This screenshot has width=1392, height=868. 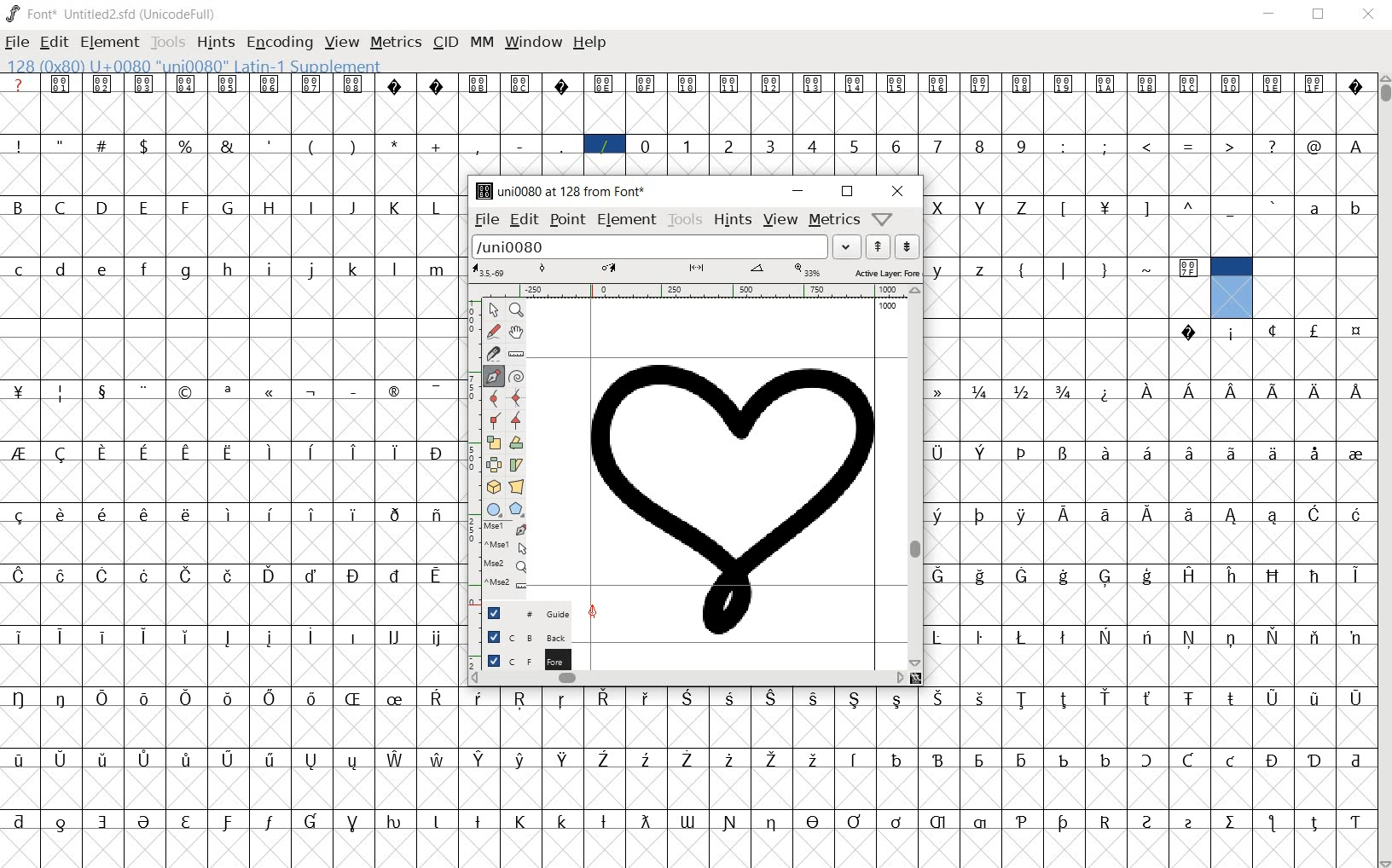 What do you see at coordinates (1064, 209) in the screenshot?
I see `glyph` at bounding box center [1064, 209].